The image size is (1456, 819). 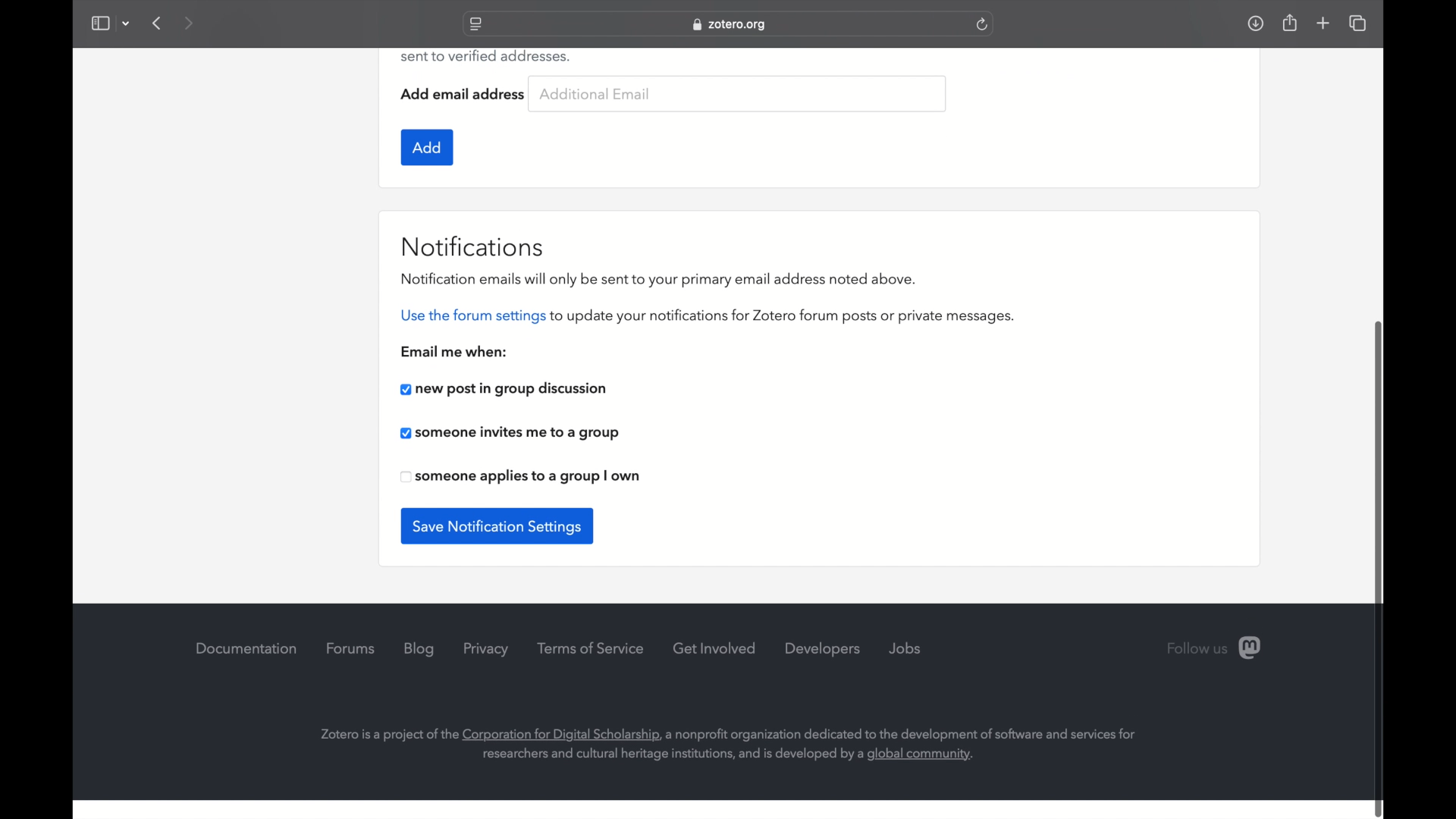 What do you see at coordinates (464, 93) in the screenshot?
I see `add email address` at bounding box center [464, 93].